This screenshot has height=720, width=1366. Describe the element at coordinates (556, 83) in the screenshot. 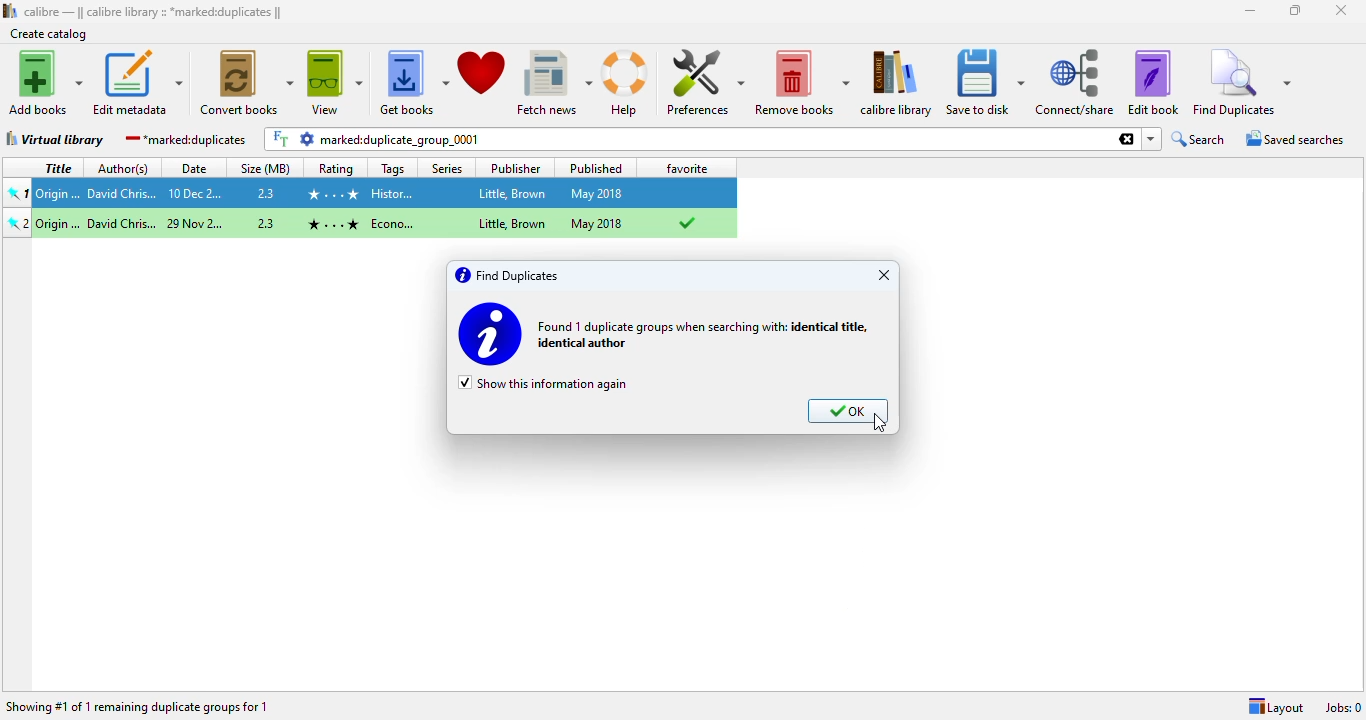

I see `fetch news` at that location.